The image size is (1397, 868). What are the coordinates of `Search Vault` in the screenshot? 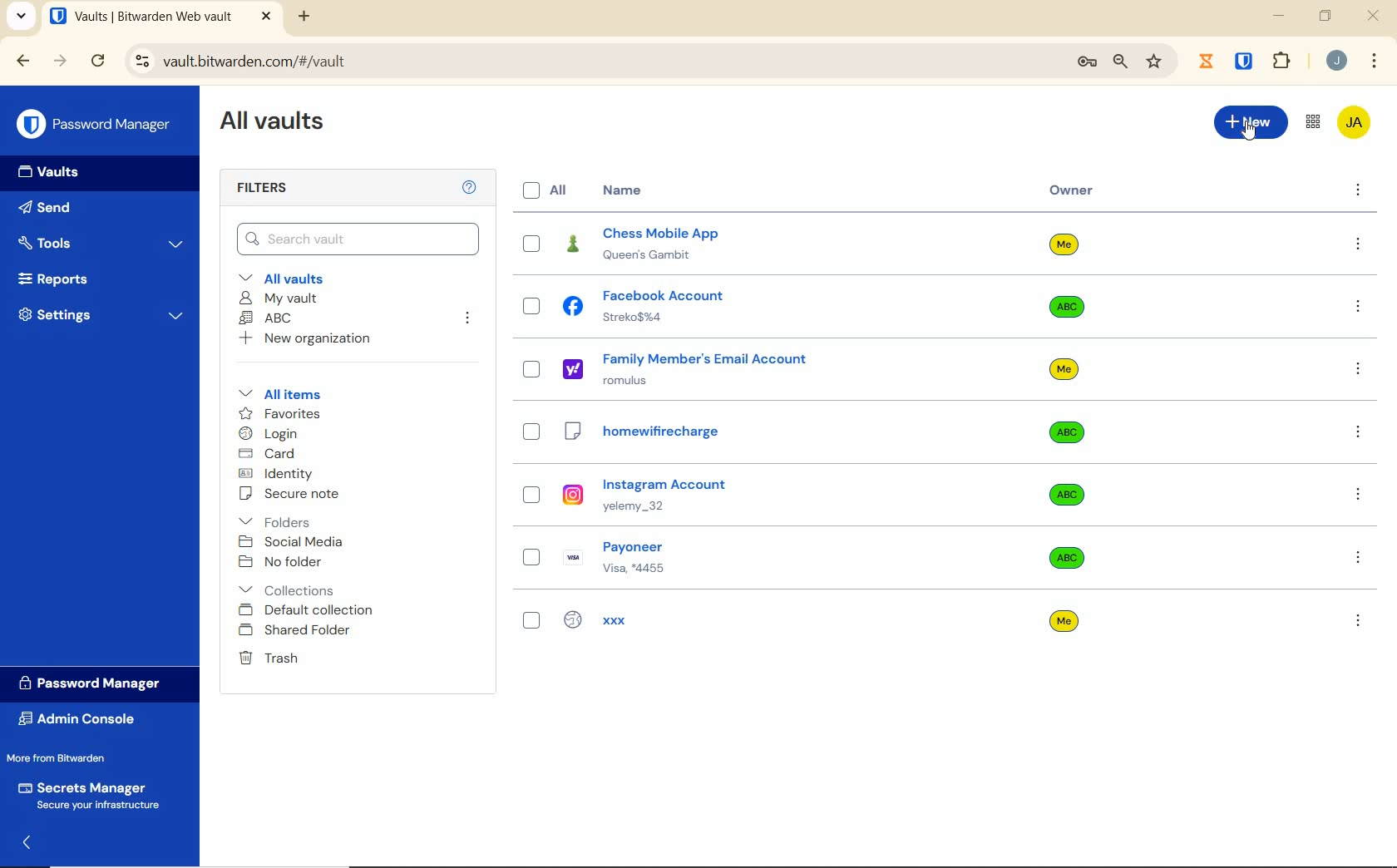 It's located at (358, 238).